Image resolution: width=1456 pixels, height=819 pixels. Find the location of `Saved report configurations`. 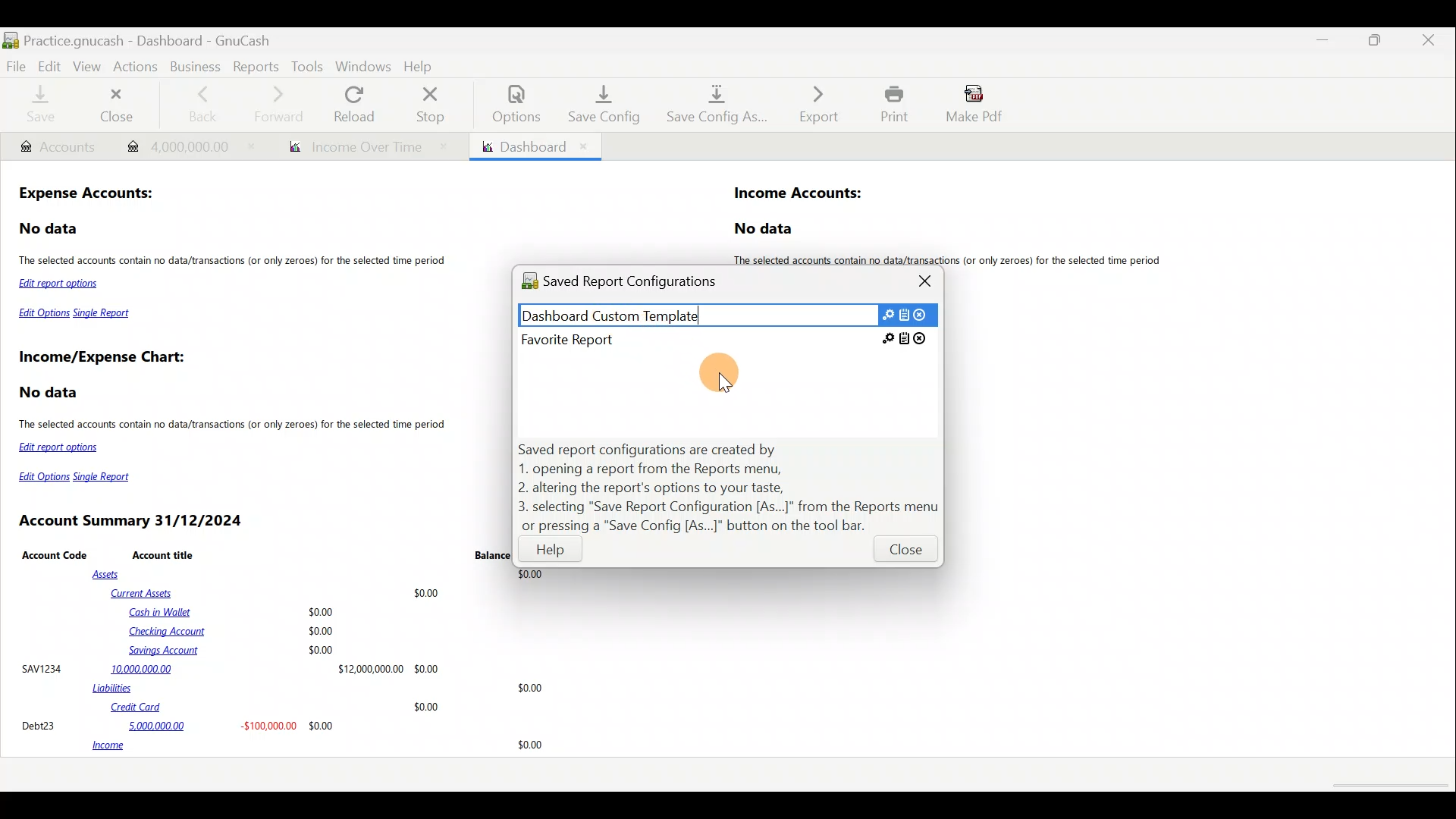

Saved report configurations is located at coordinates (635, 284).